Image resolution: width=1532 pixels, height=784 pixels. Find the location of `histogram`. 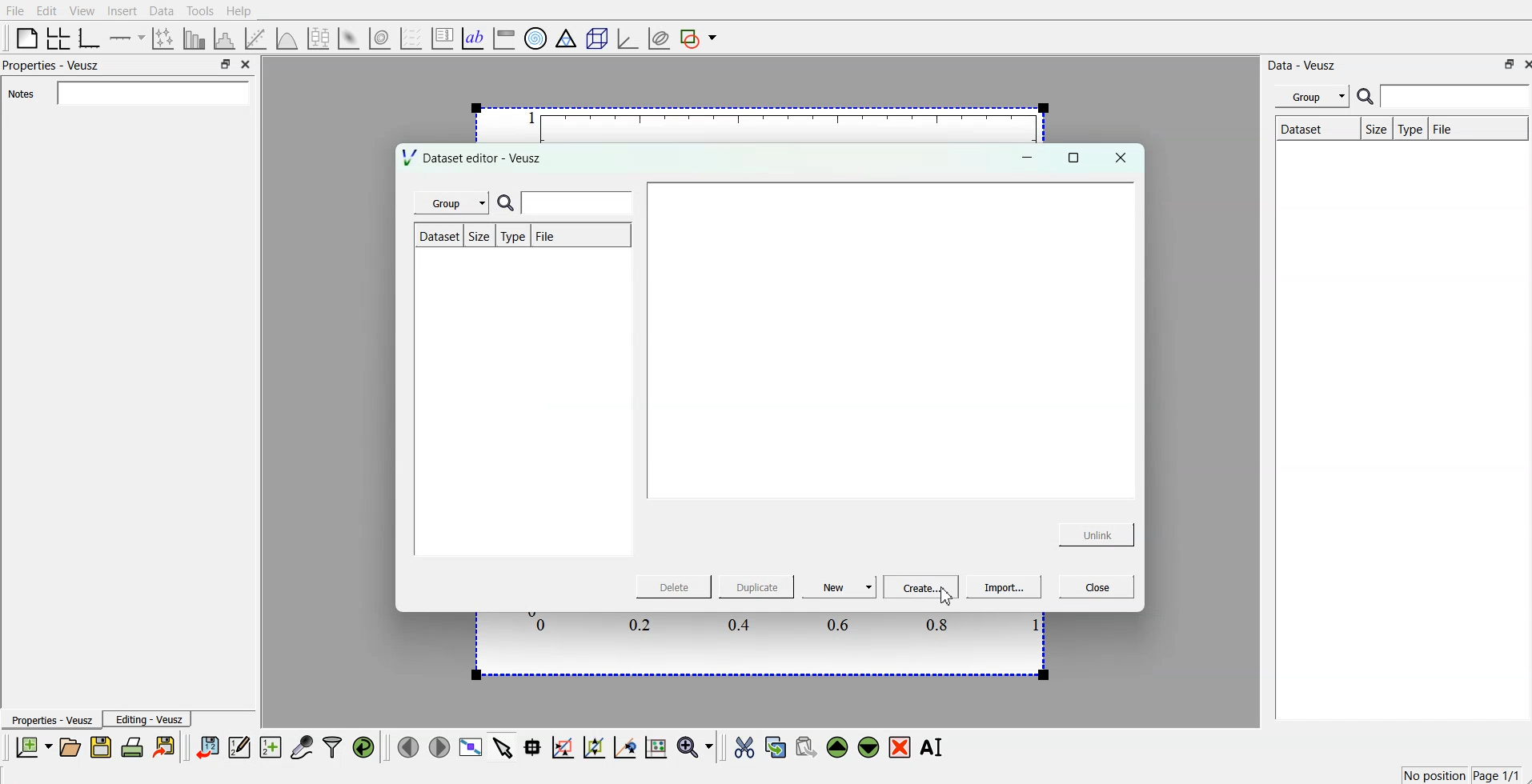

histogram is located at coordinates (226, 37).